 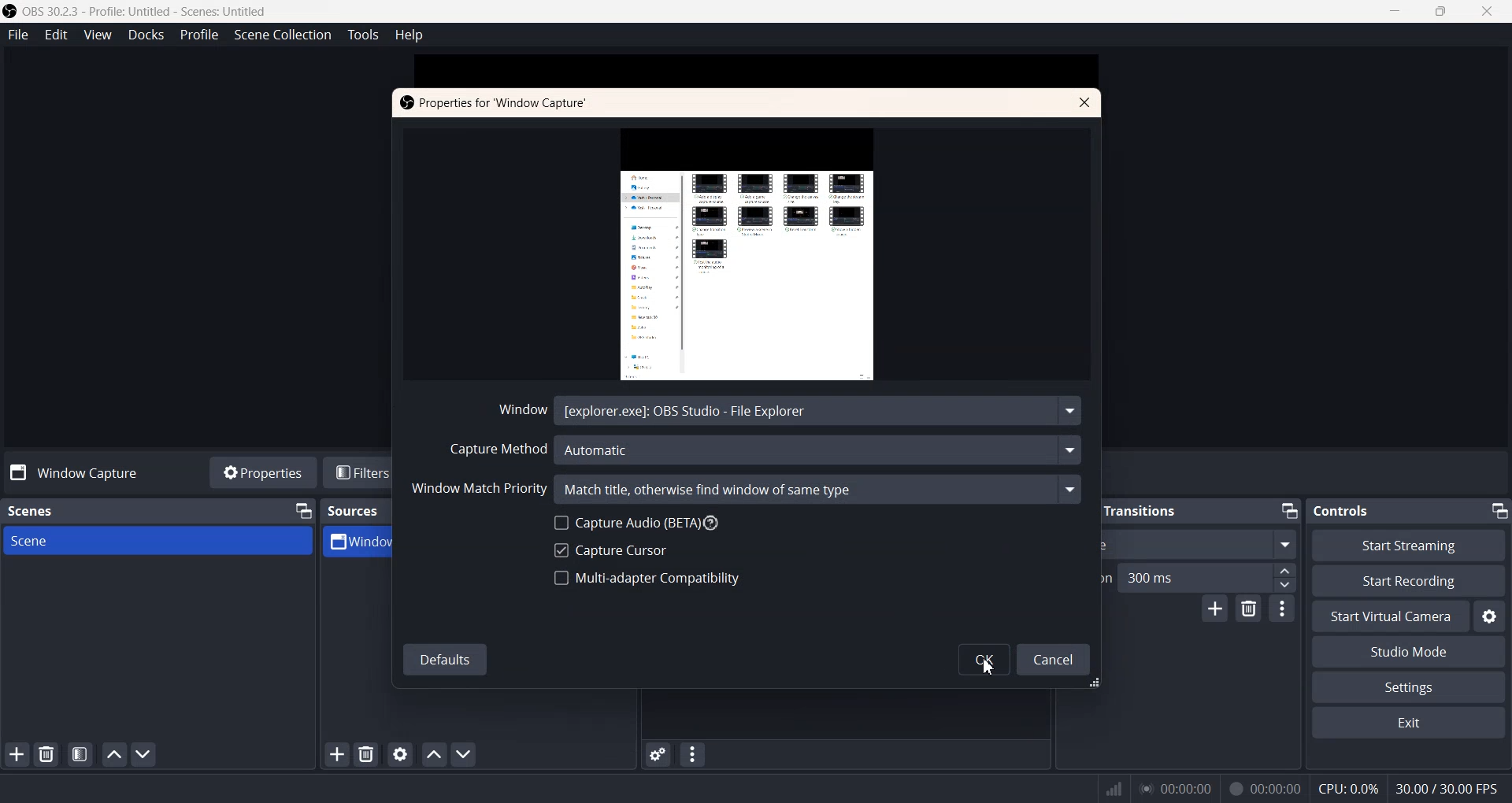 What do you see at coordinates (1054, 657) in the screenshot?
I see `Cancel` at bounding box center [1054, 657].